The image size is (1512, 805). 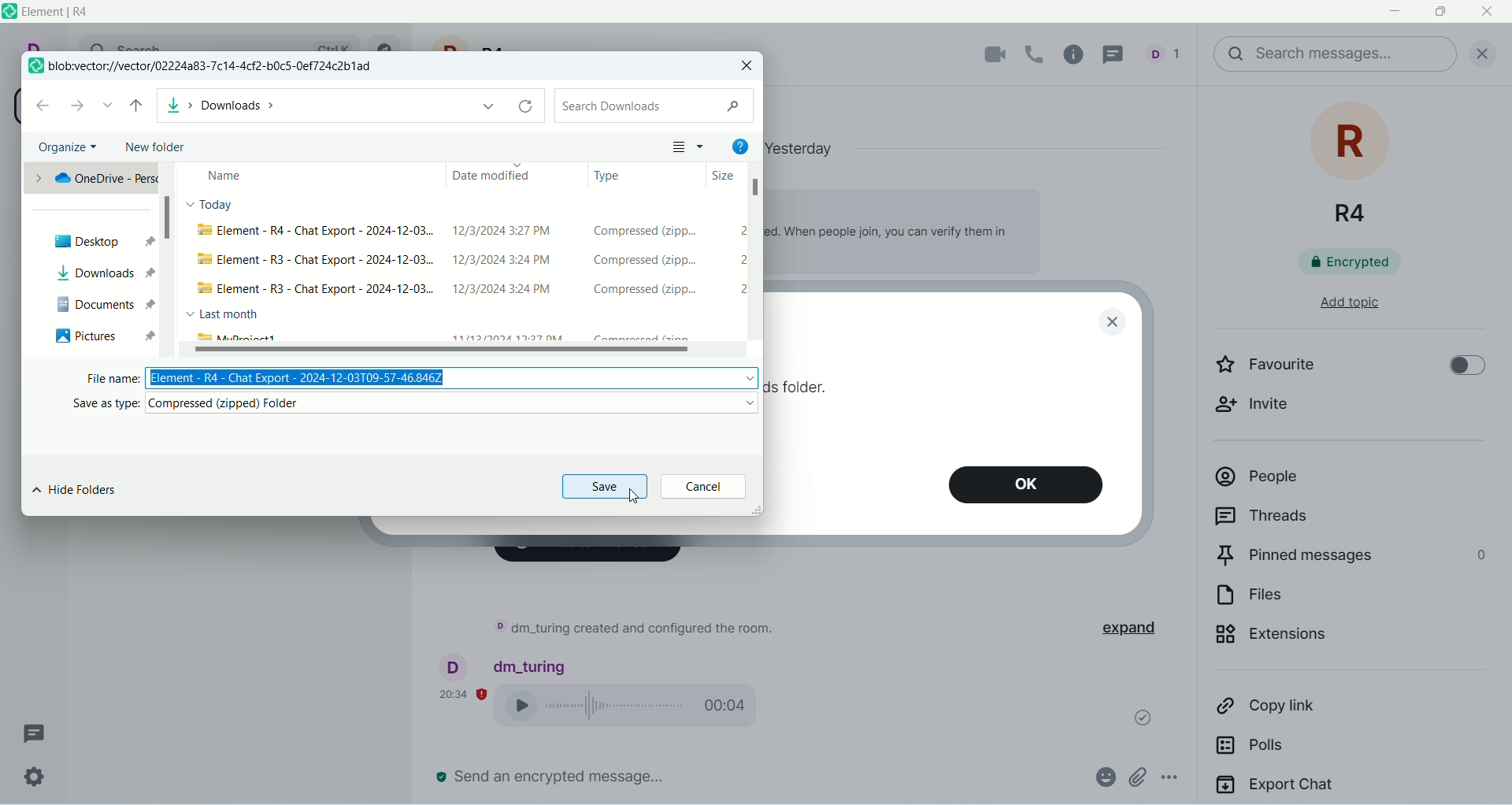 I want to click on pictures, so click(x=102, y=337).